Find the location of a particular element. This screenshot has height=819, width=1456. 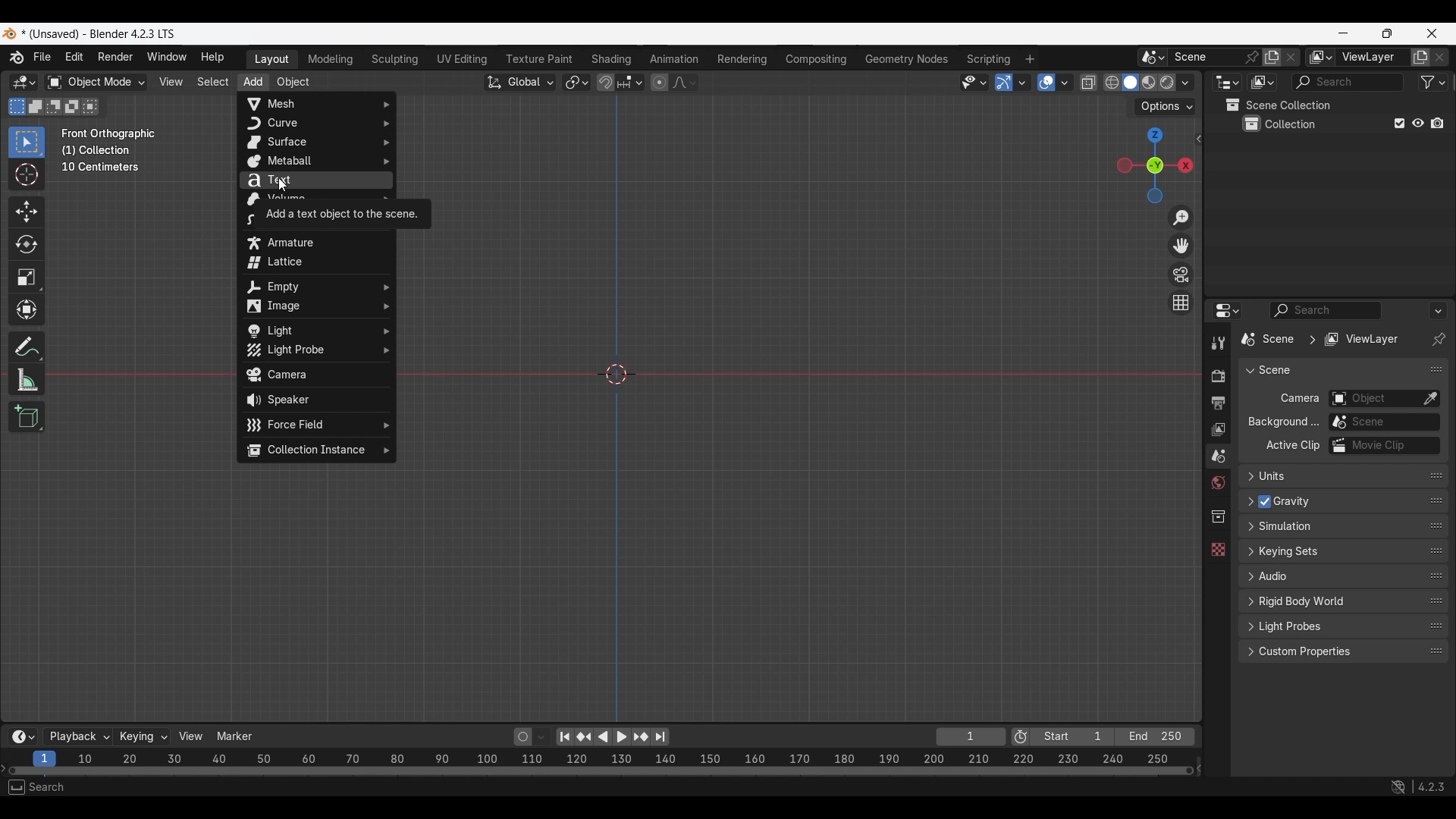

Click to expand is located at coordinates (1332, 475).